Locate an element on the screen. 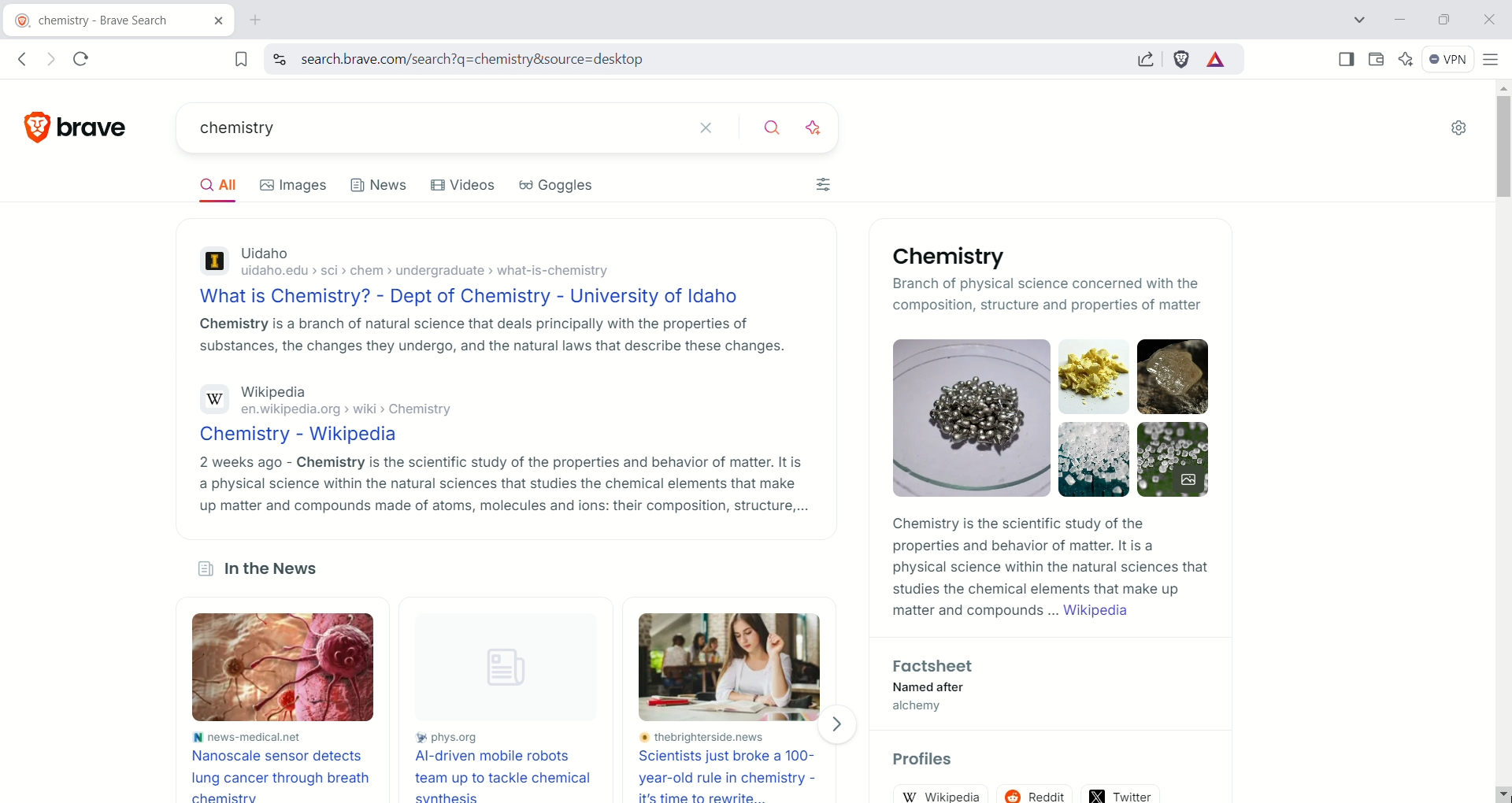 This screenshot has height=803, width=1512. brave shield is located at coordinates (1182, 59).